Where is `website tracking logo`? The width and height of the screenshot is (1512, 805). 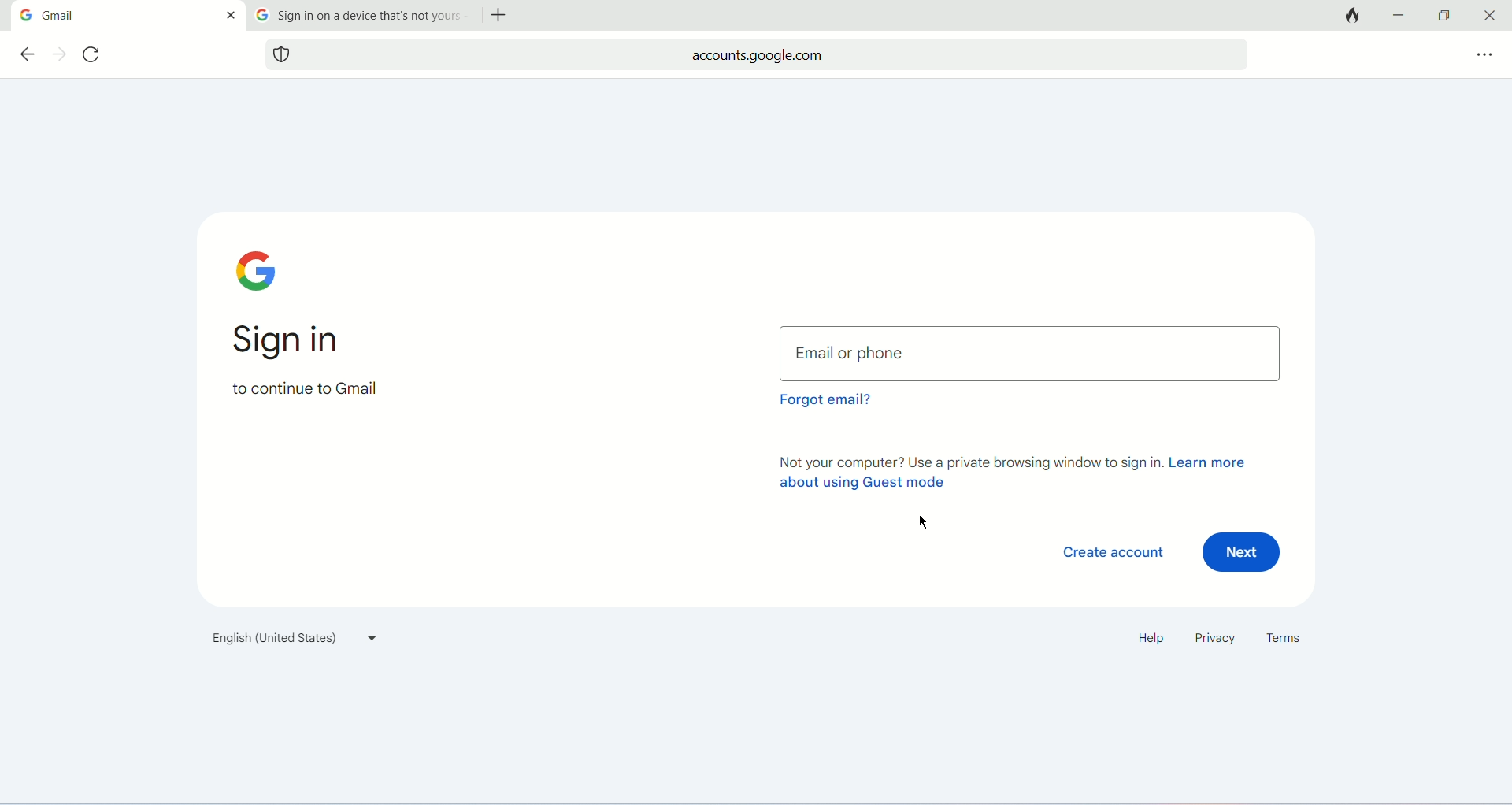
website tracking logo is located at coordinates (282, 54).